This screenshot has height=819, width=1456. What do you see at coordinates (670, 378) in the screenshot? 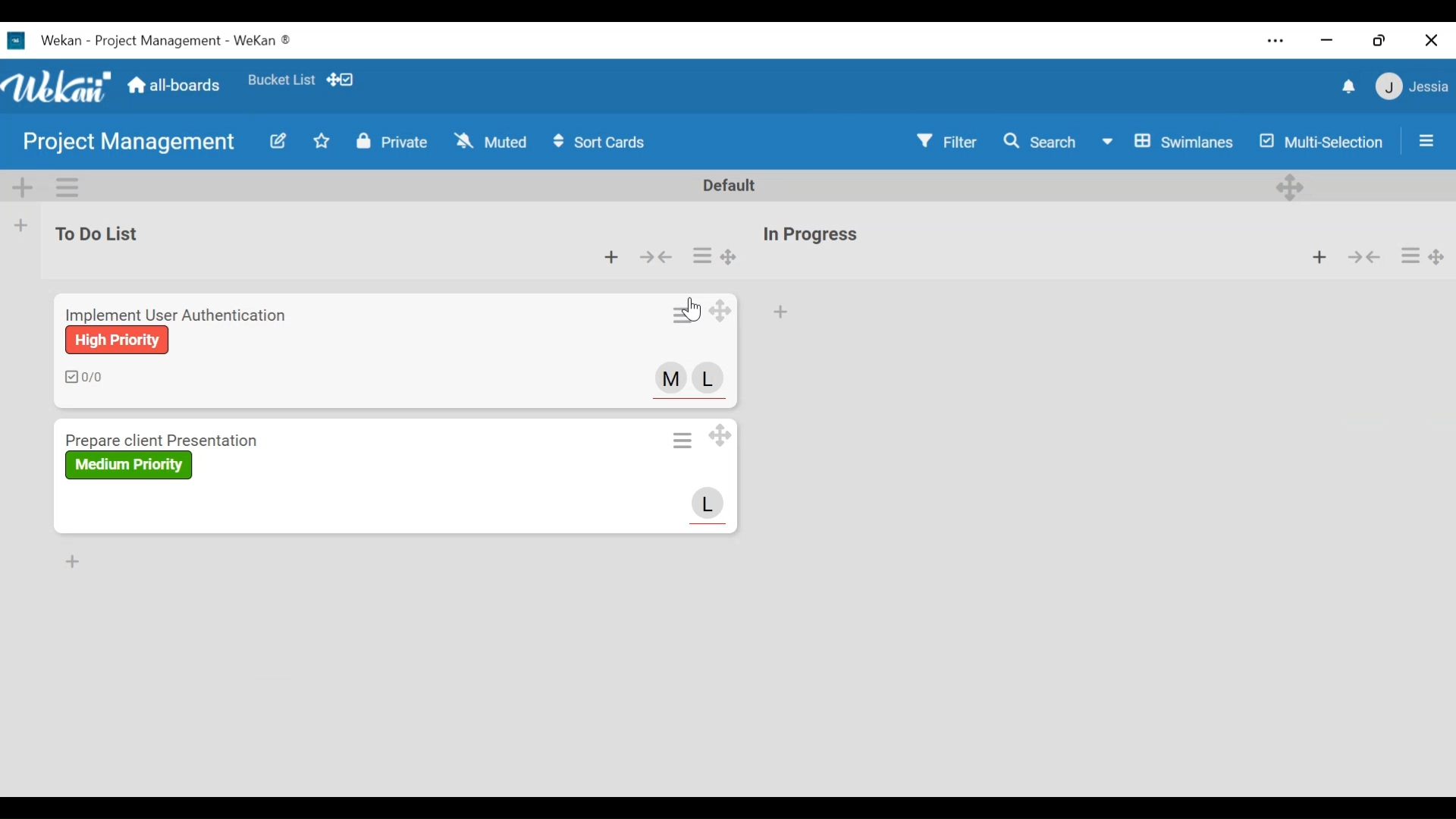
I see `member` at bounding box center [670, 378].